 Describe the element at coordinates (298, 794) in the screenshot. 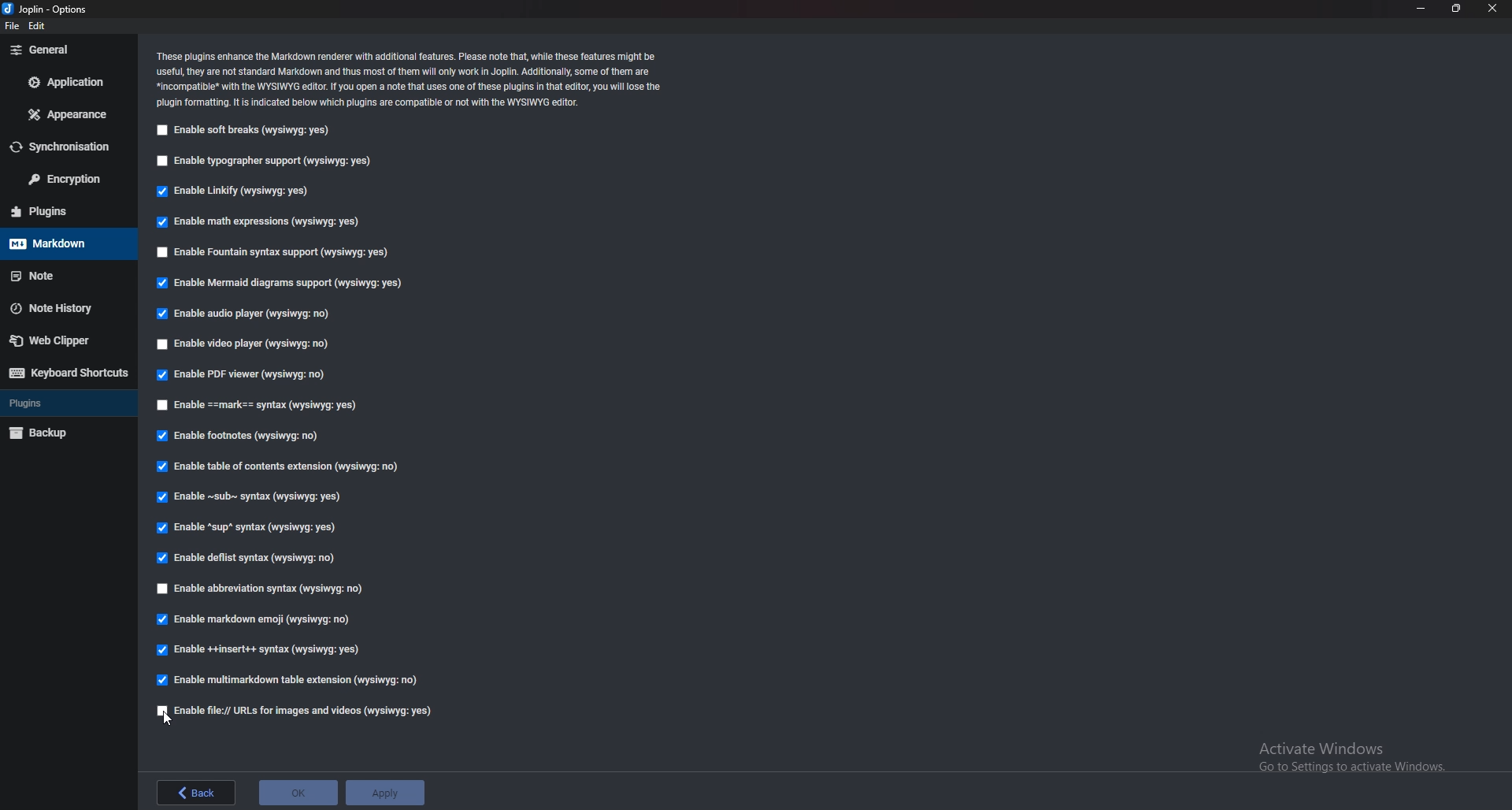

I see `ok` at that location.